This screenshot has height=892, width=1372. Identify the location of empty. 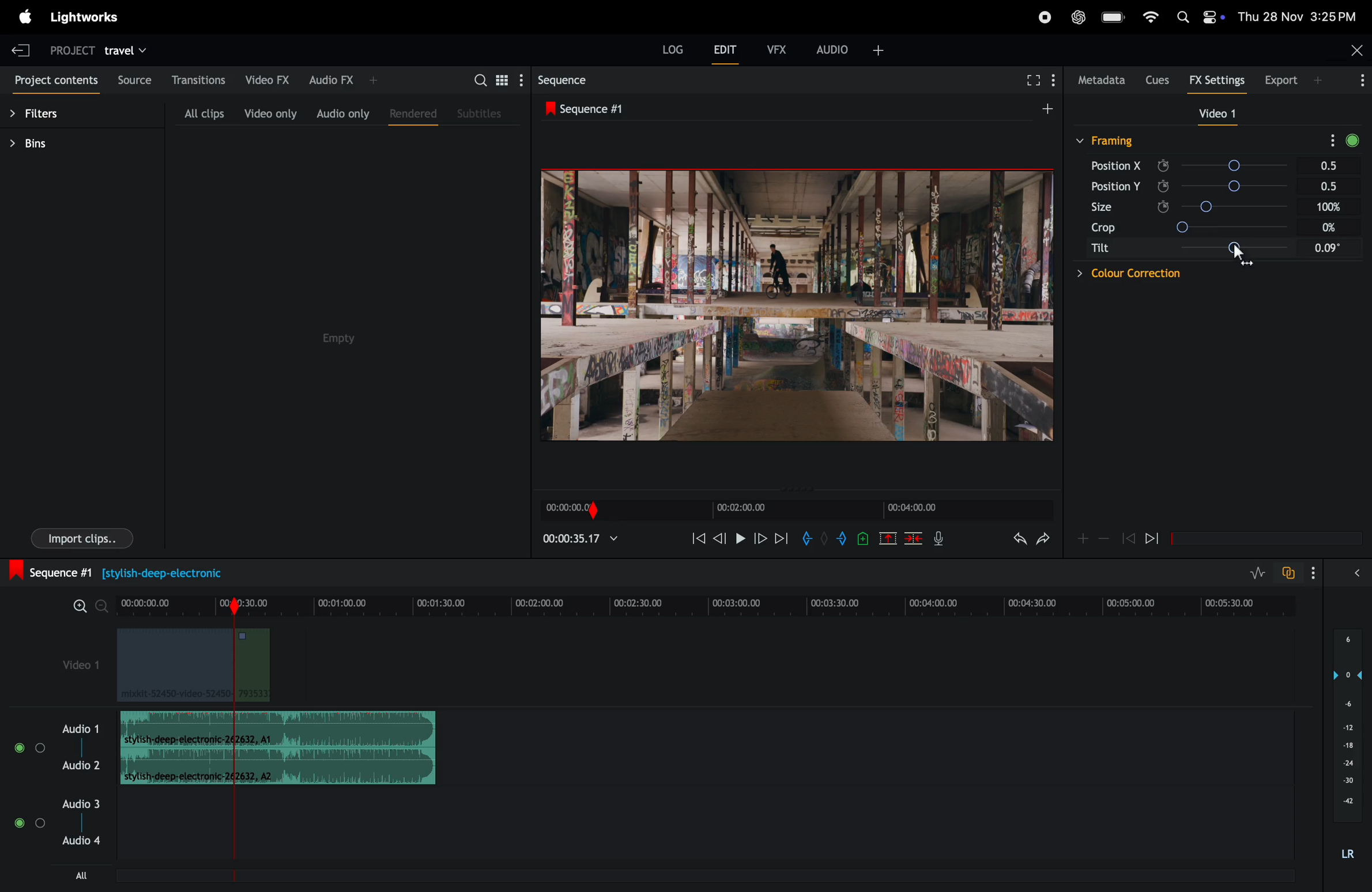
(337, 336).